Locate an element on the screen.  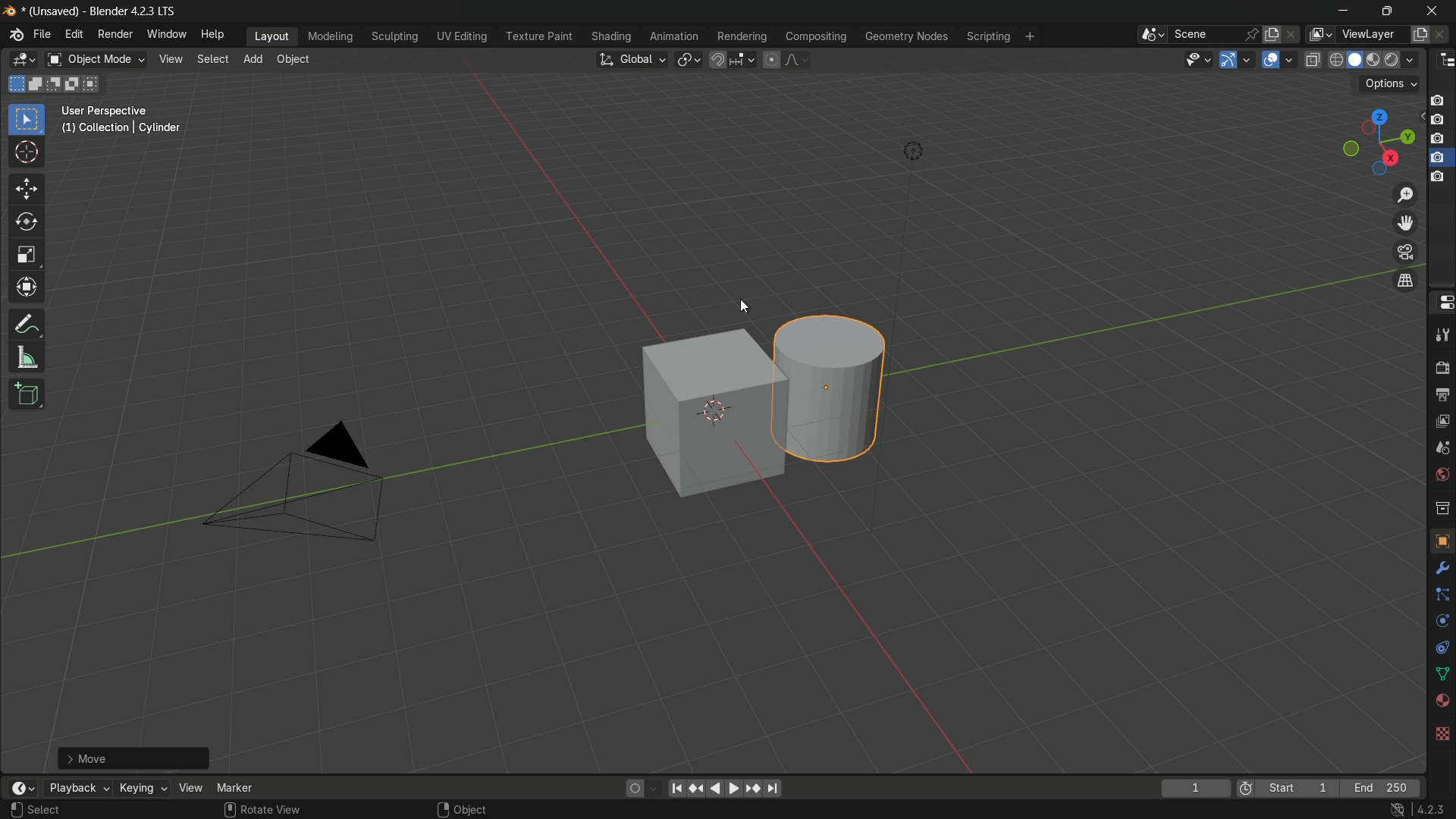
animation menu is located at coordinates (676, 38).